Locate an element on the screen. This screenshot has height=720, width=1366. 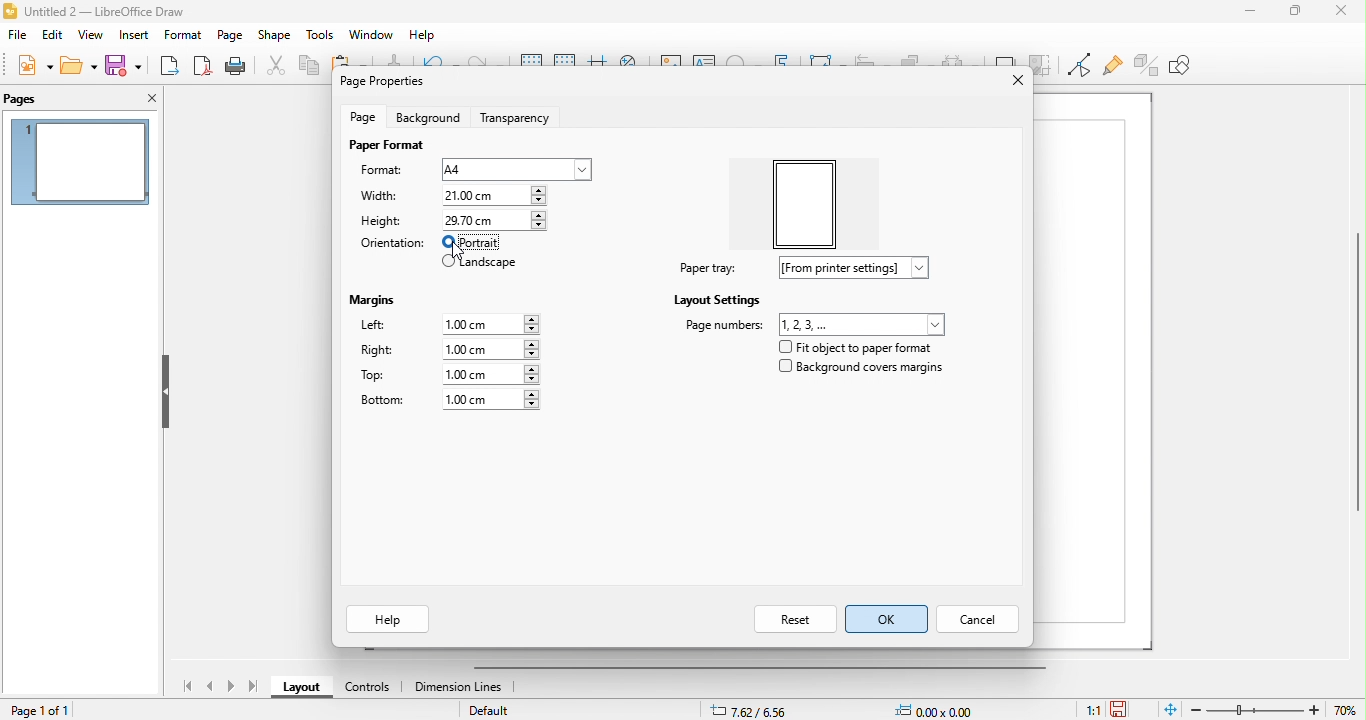
hide is located at coordinates (165, 392).